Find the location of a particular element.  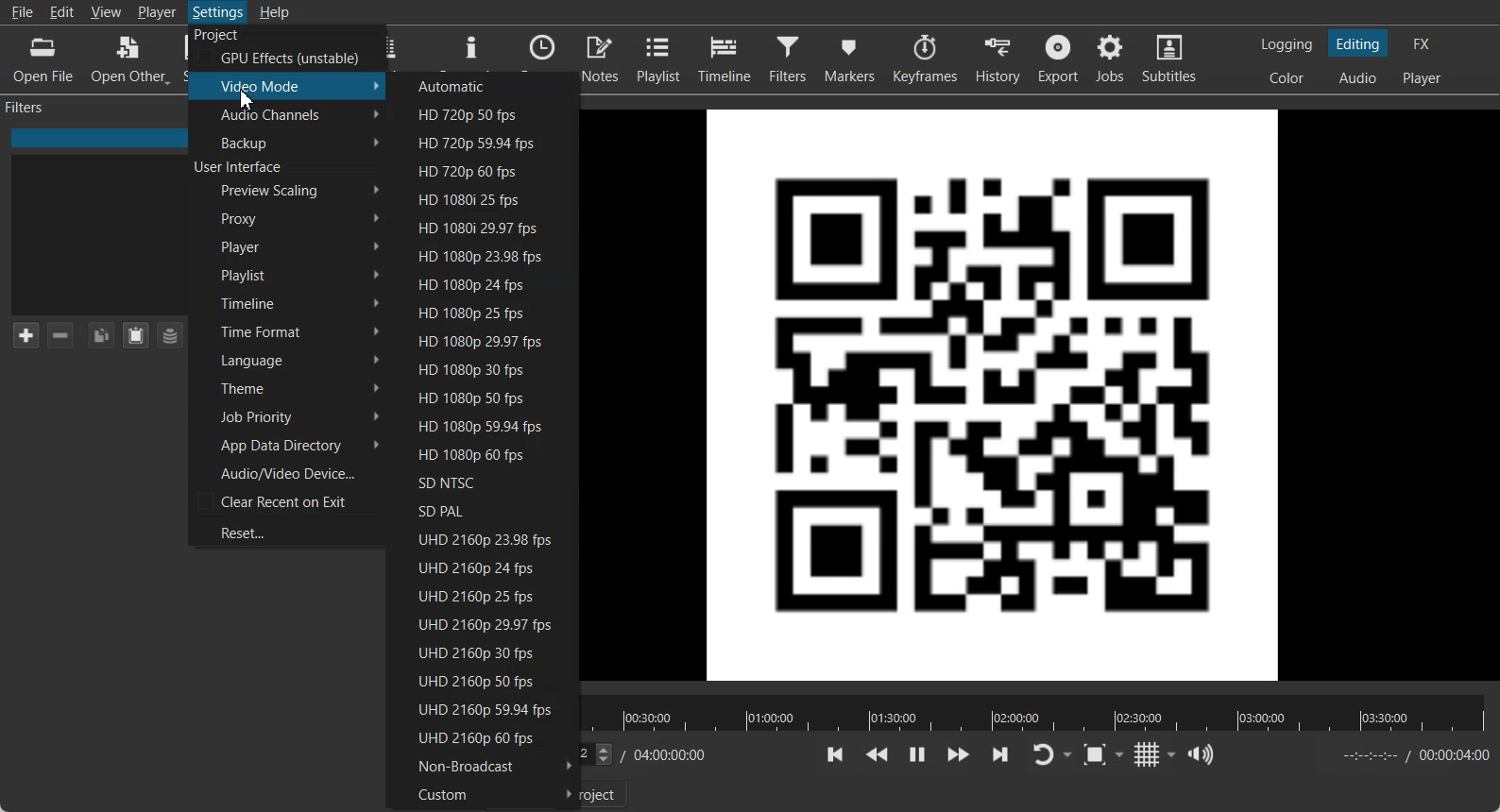

View is located at coordinates (105, 11).